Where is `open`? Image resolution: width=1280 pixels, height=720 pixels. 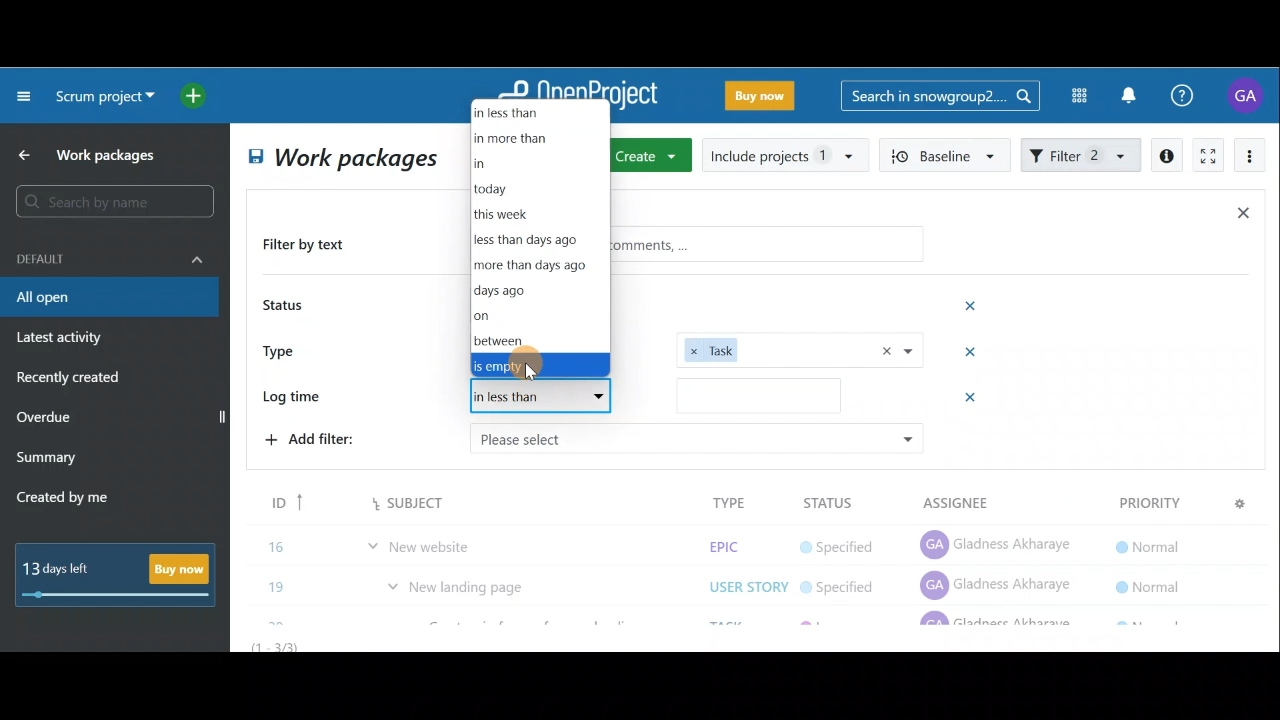 open is located at coordinates (528, 303).